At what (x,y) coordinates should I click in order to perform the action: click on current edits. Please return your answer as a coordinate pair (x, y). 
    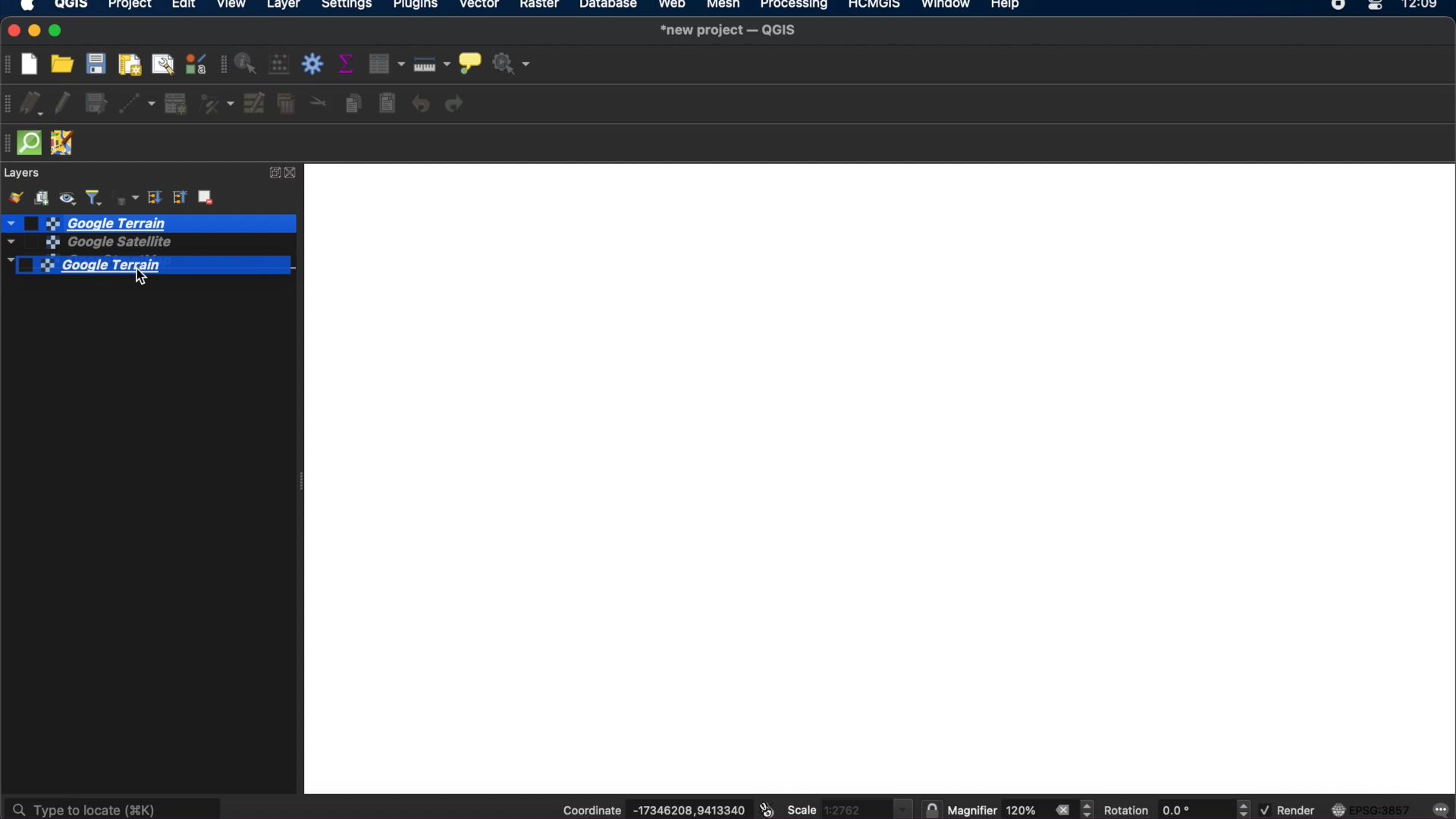
    Looking at the image, I should click on (36, 105).